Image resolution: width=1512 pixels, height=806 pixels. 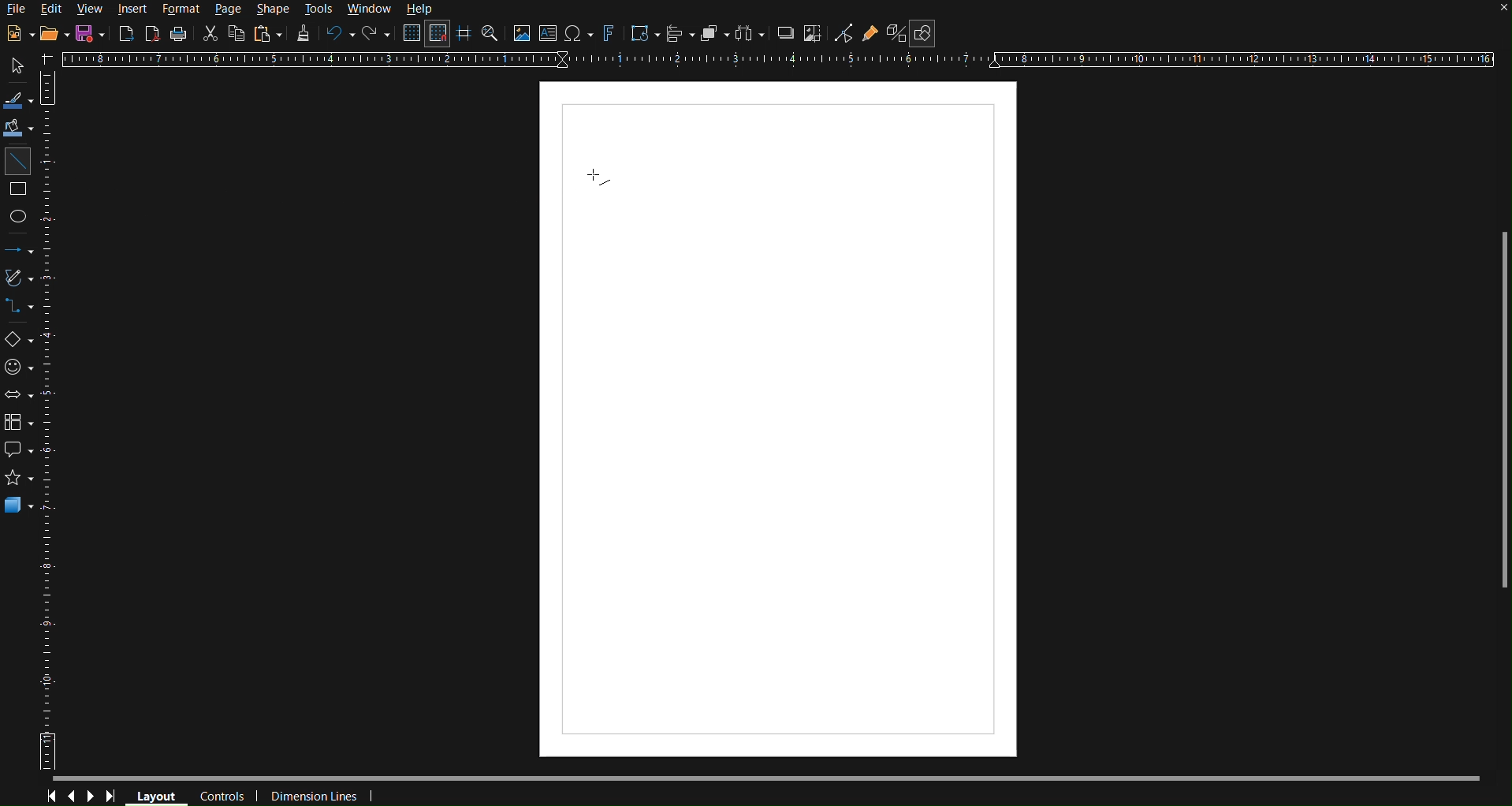 I want to click on Dimension Lines, so click(x=315, y=795).